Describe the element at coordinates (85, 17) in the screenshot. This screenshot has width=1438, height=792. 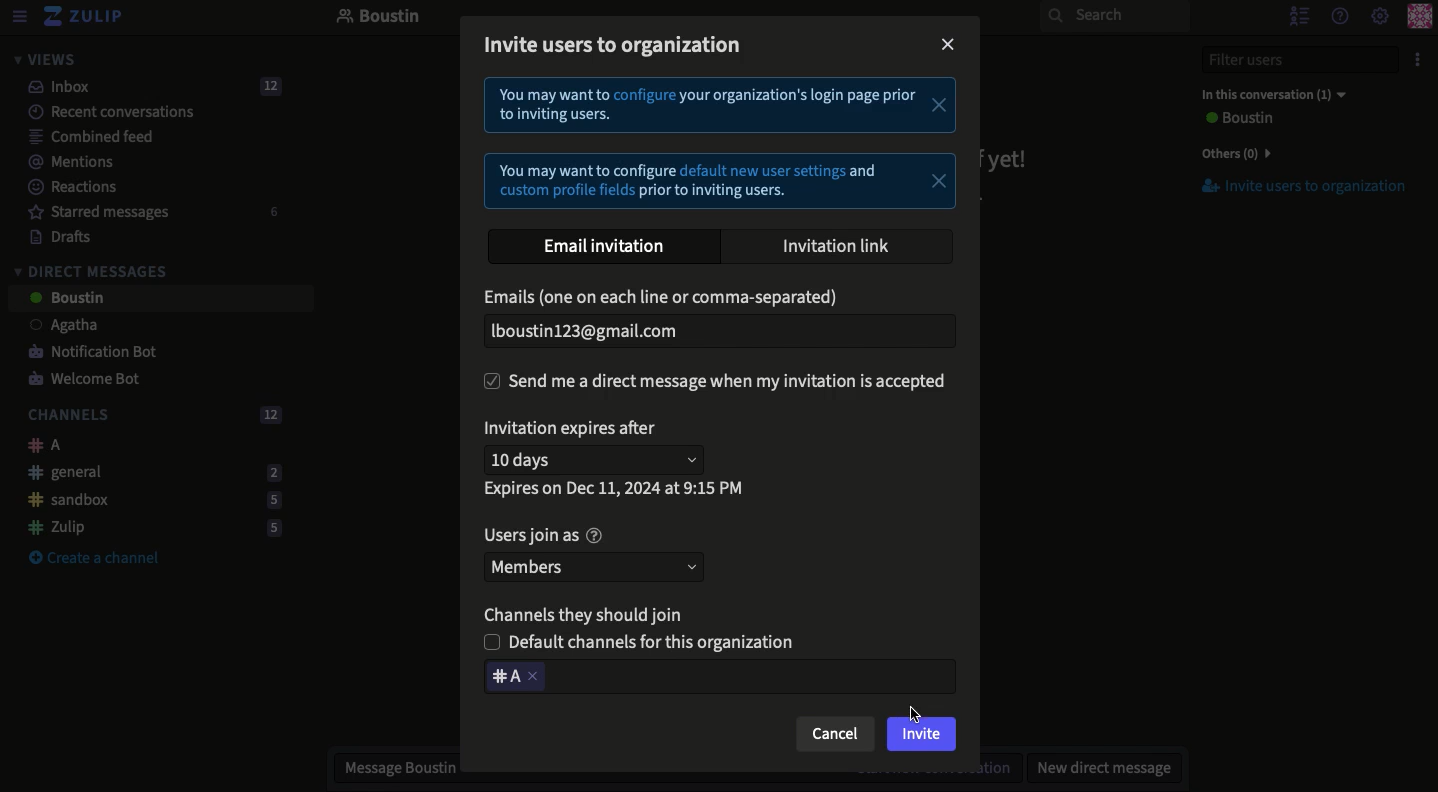
I see `Zulip` at that location.